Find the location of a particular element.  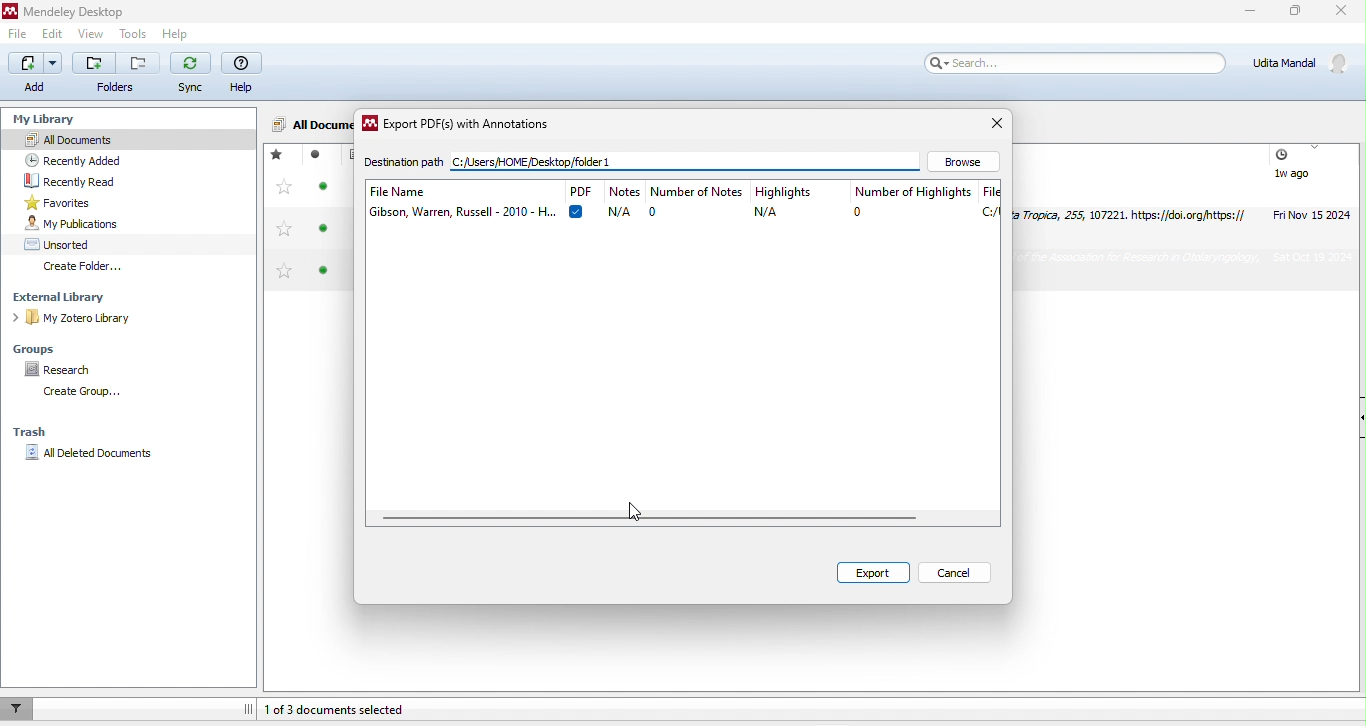

recently added is located at coordinates (86, 158).